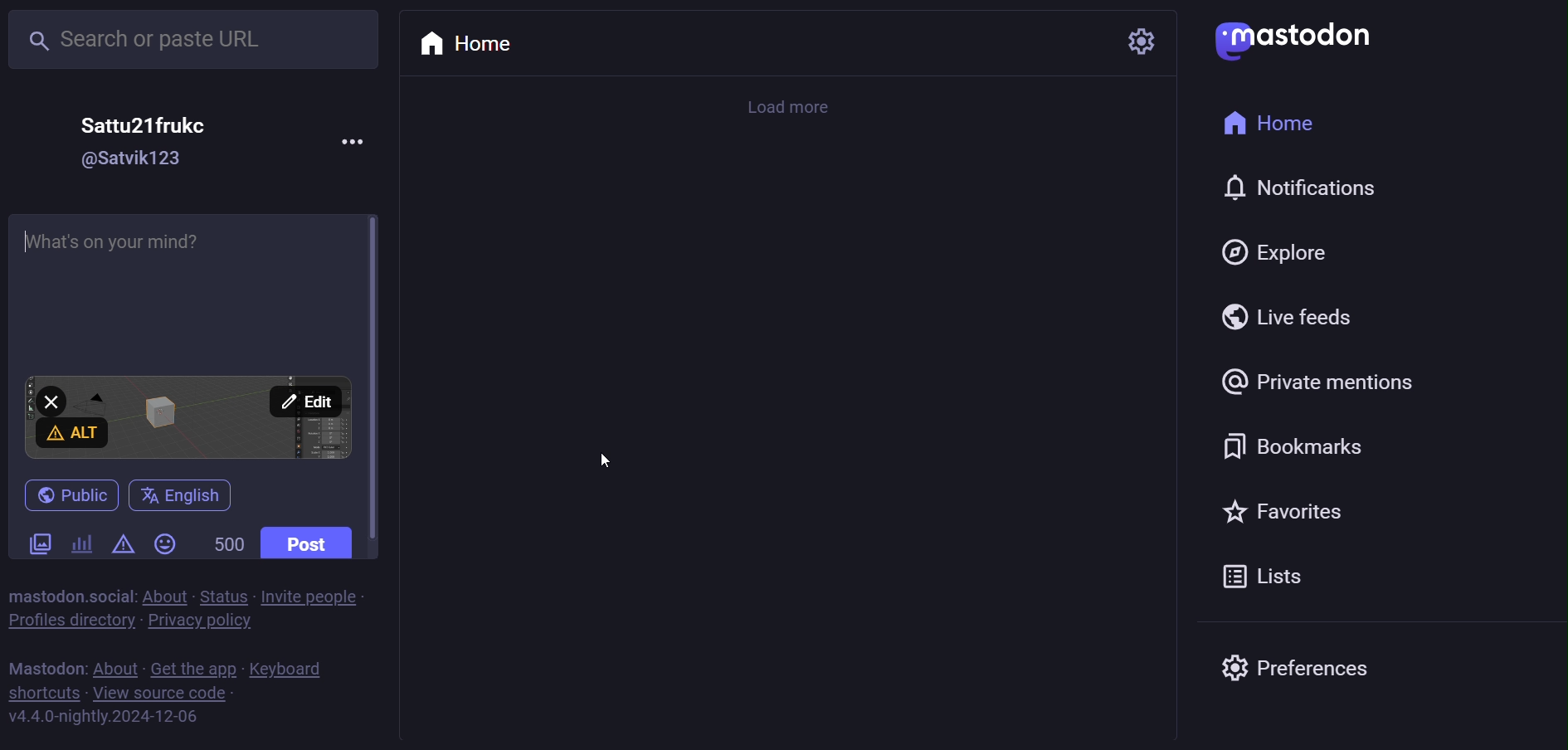  I want to click on preferences, so click(1307, 665).